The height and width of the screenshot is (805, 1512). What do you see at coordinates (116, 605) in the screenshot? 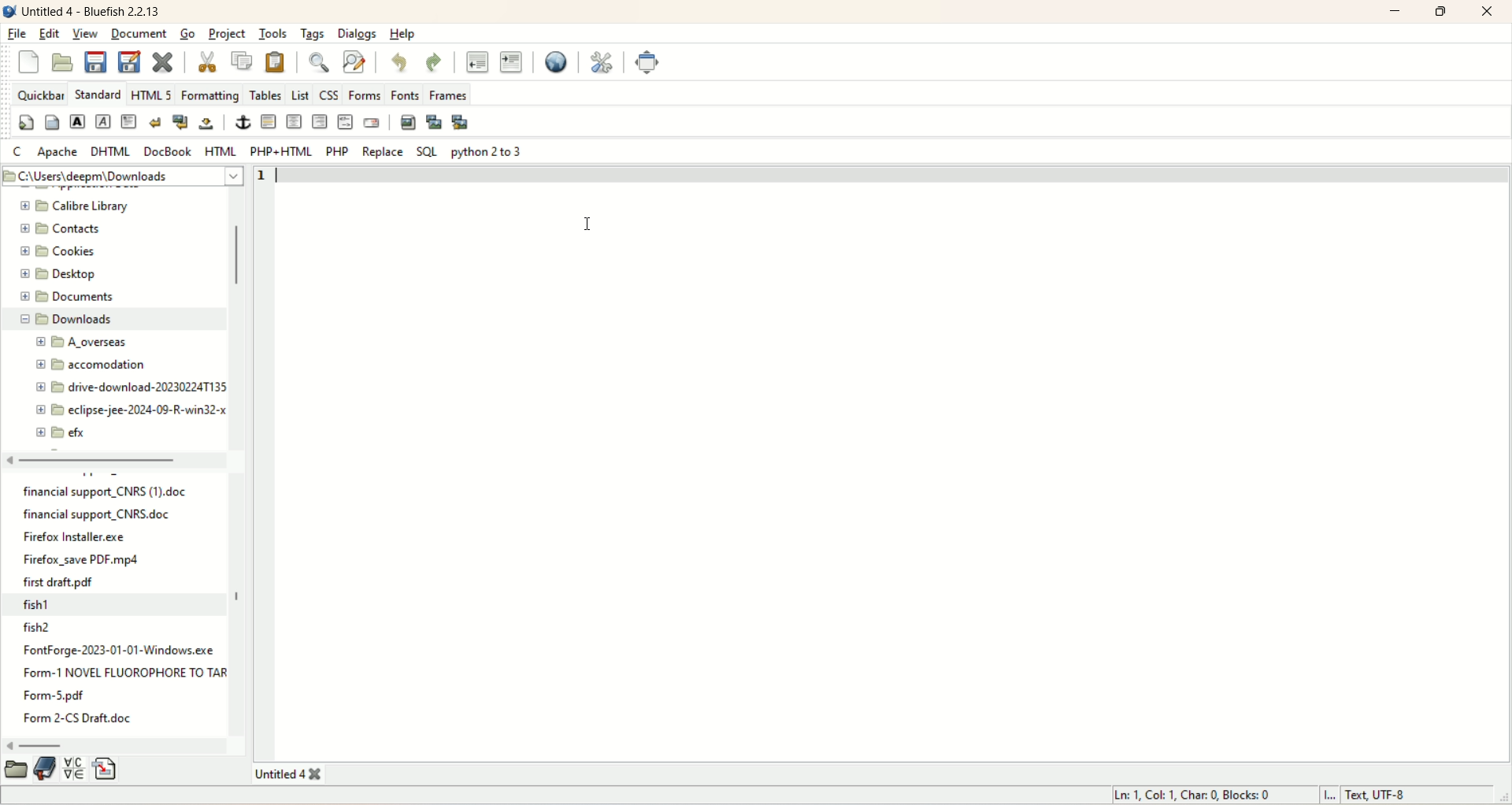
I see `fish1` at bounding box center [116, 605].